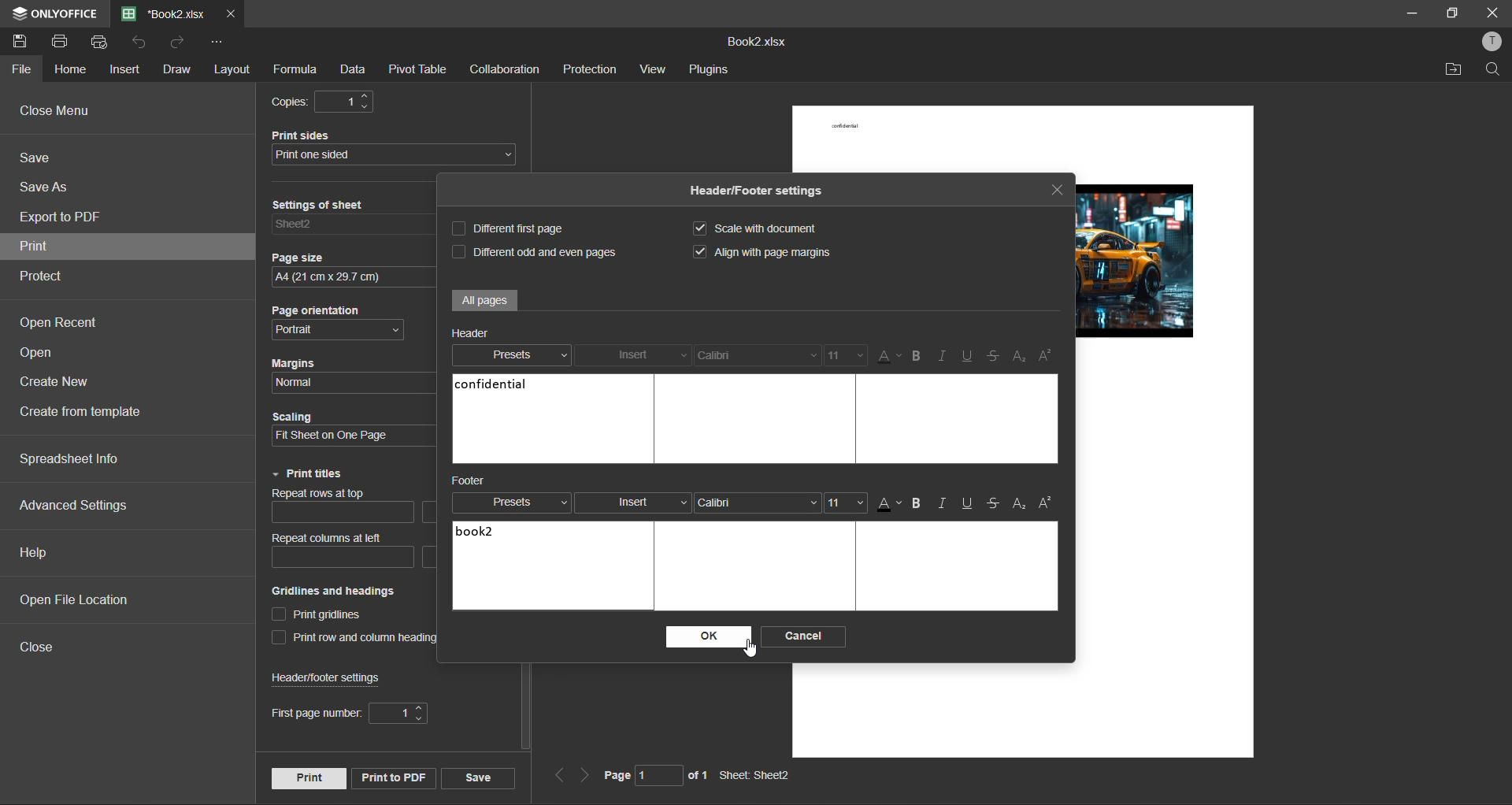 The image size is (1512, 805). What do you see at coordinates (654, 69) in the screenshot?
I see `view` at bounding box center [654, 69].